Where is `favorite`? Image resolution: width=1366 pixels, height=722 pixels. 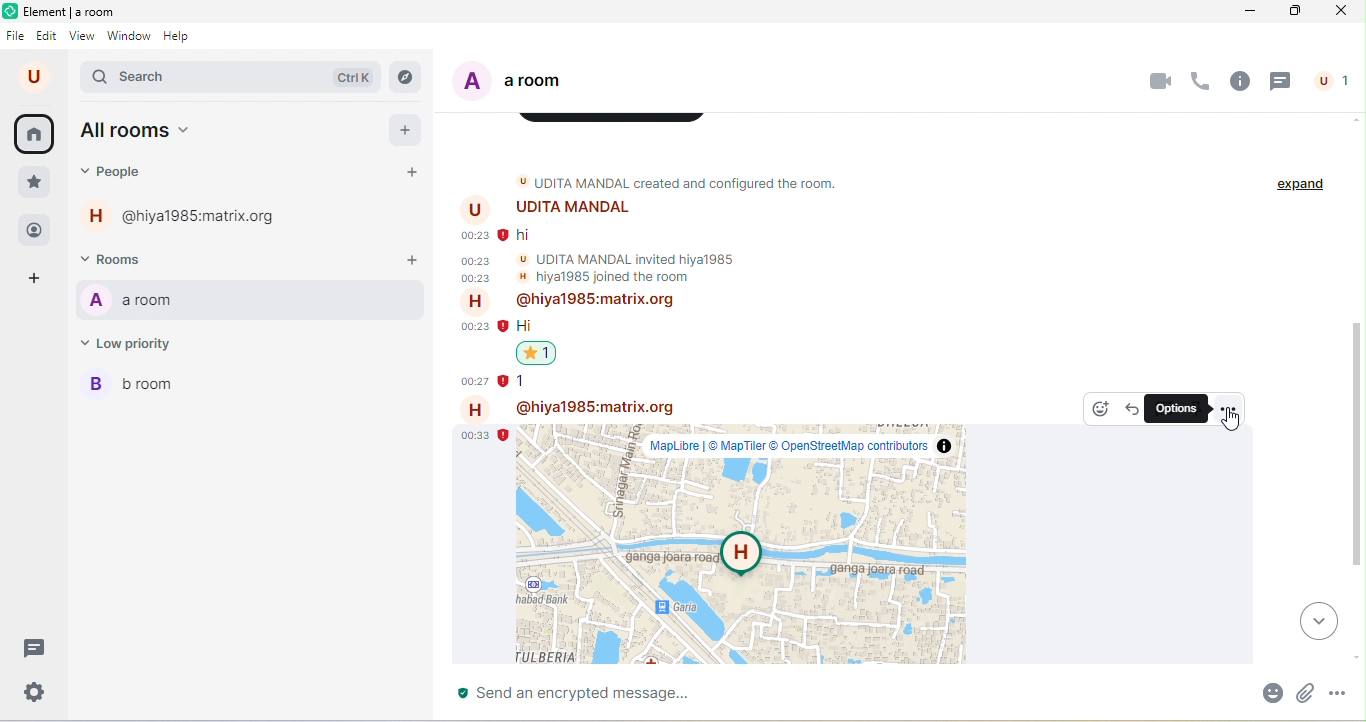
favorite is located at coordinates (32, 183).